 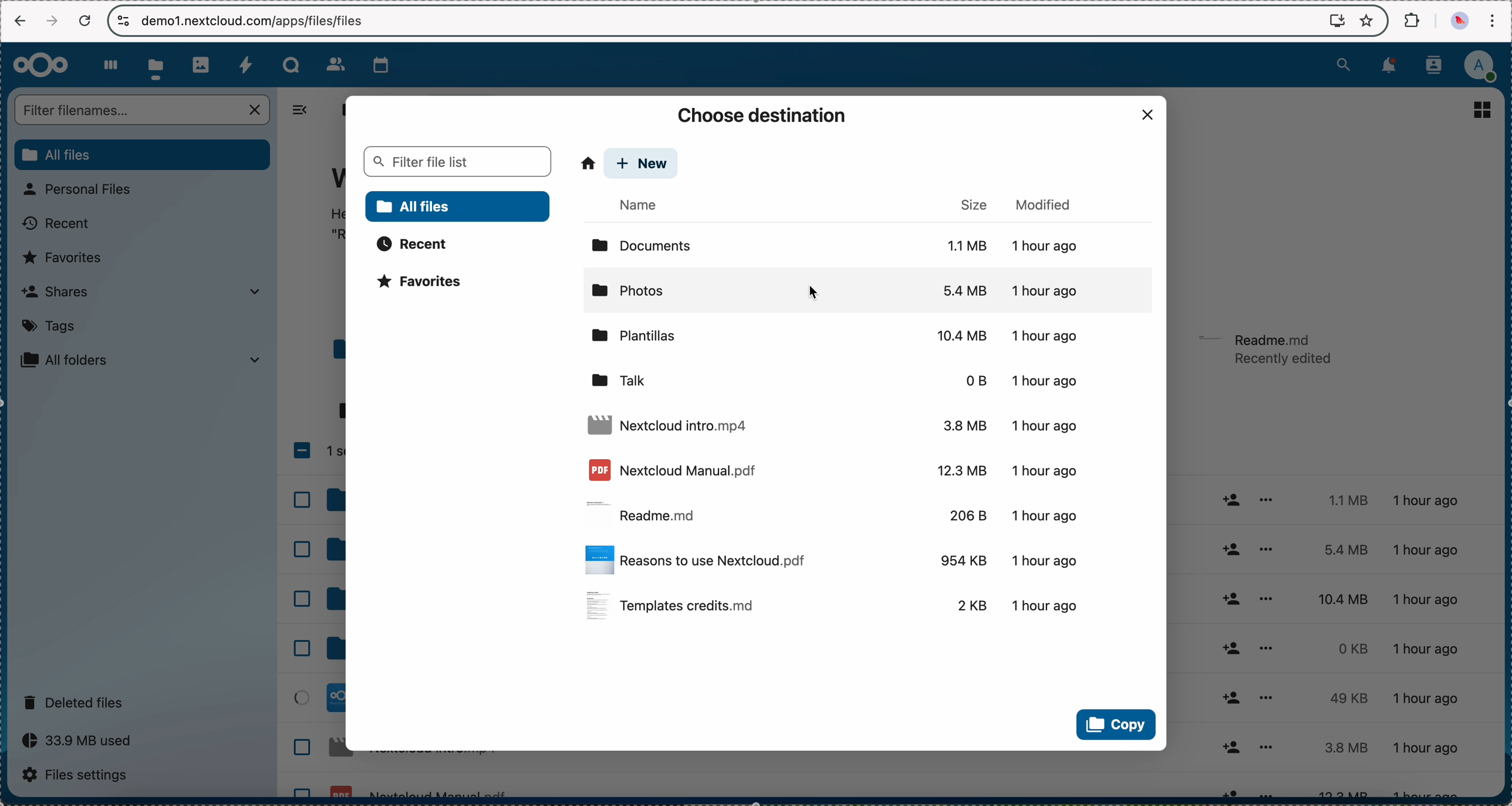 What do you see at coordinates (643, 205) in the screenshot?
I see `name` at bounding box center [643, 205].